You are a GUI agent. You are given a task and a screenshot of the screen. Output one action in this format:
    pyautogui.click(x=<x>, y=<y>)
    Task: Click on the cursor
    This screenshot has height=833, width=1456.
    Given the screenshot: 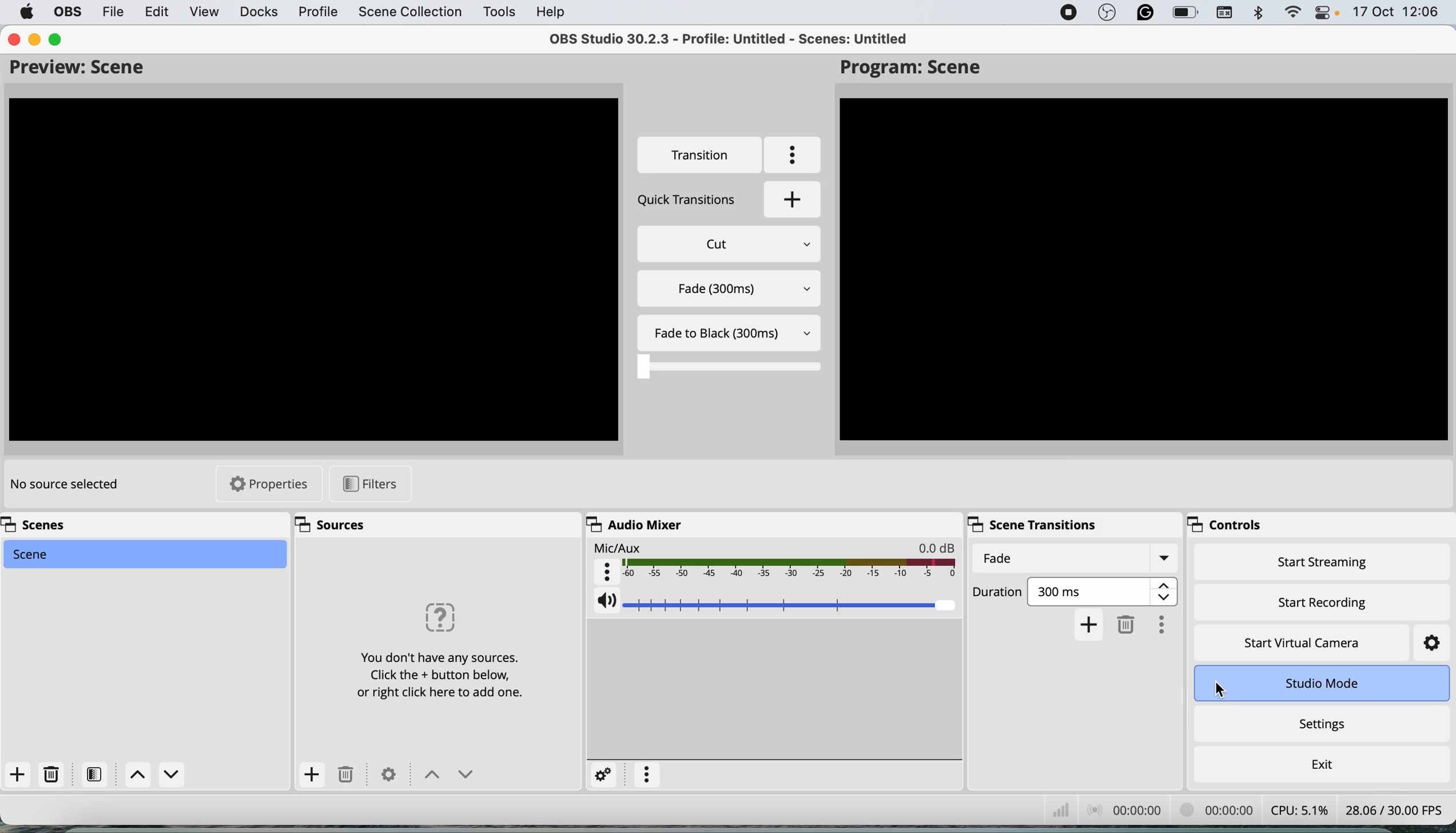 What is the action you would take?
    pyautogui.click(x=1220, y=691)
    